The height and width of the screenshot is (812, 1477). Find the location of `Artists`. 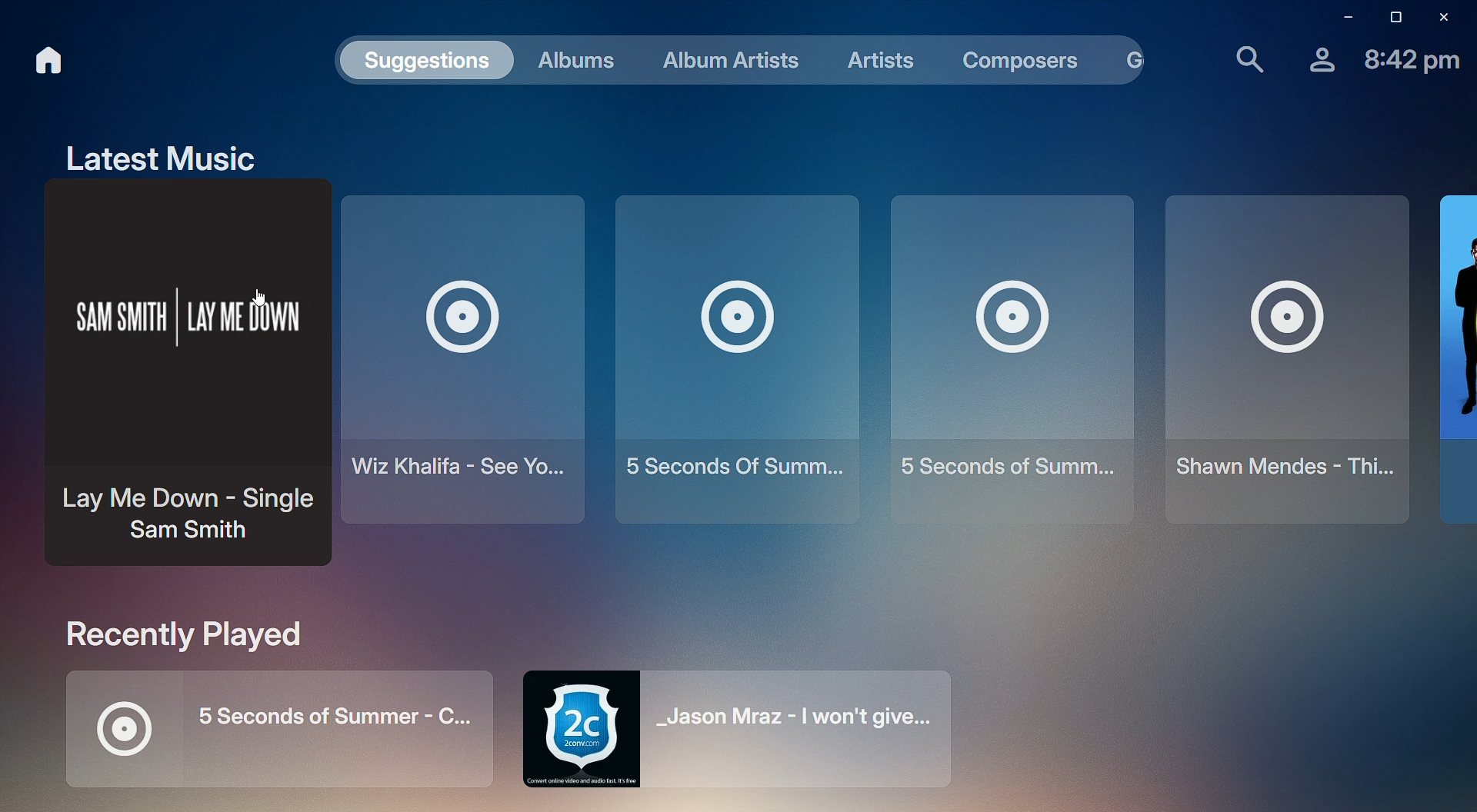

Artists is located at coordinates (874, 61).